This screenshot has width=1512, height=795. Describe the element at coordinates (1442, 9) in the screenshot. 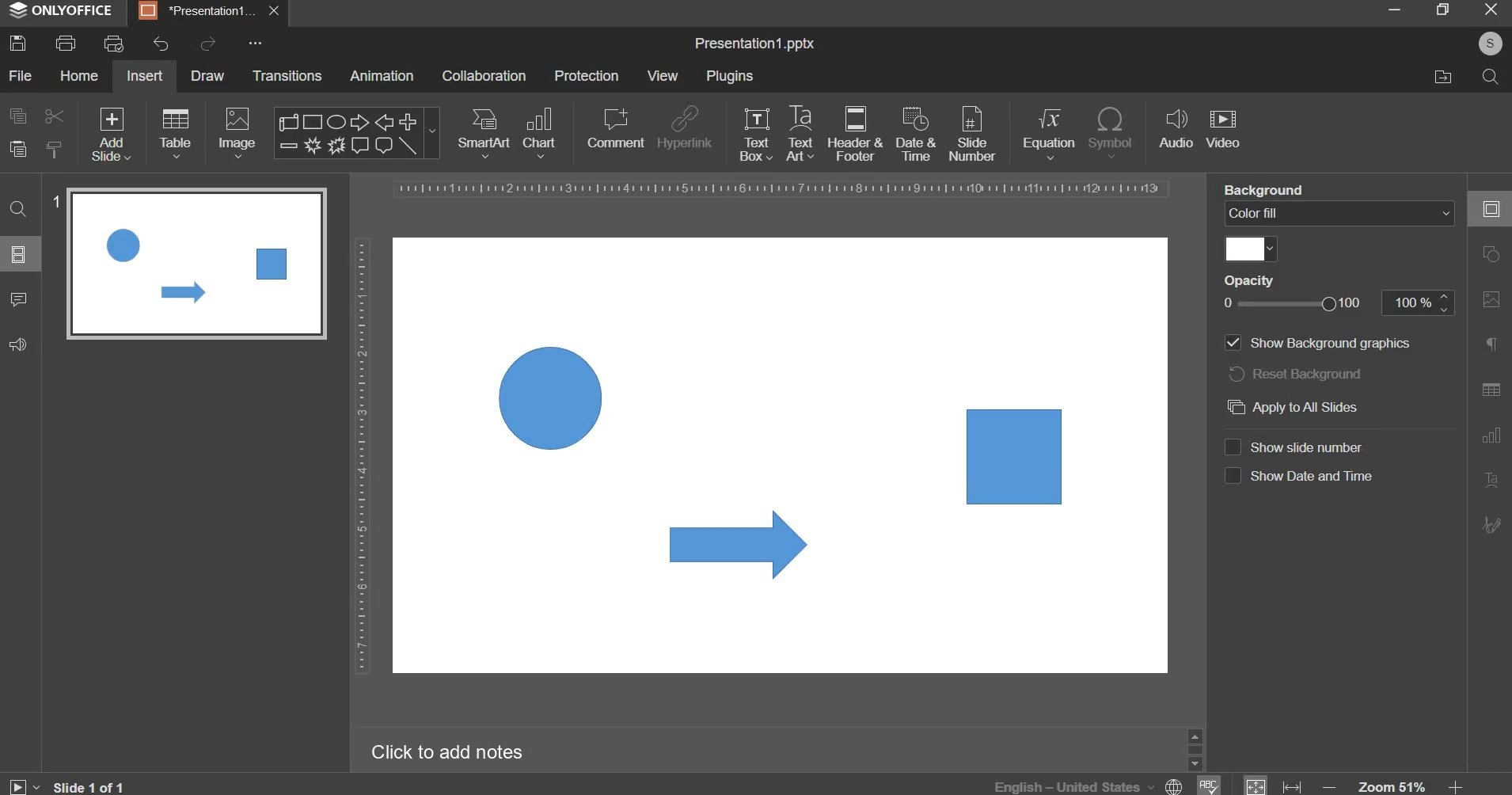

I see `maximize` at that location.